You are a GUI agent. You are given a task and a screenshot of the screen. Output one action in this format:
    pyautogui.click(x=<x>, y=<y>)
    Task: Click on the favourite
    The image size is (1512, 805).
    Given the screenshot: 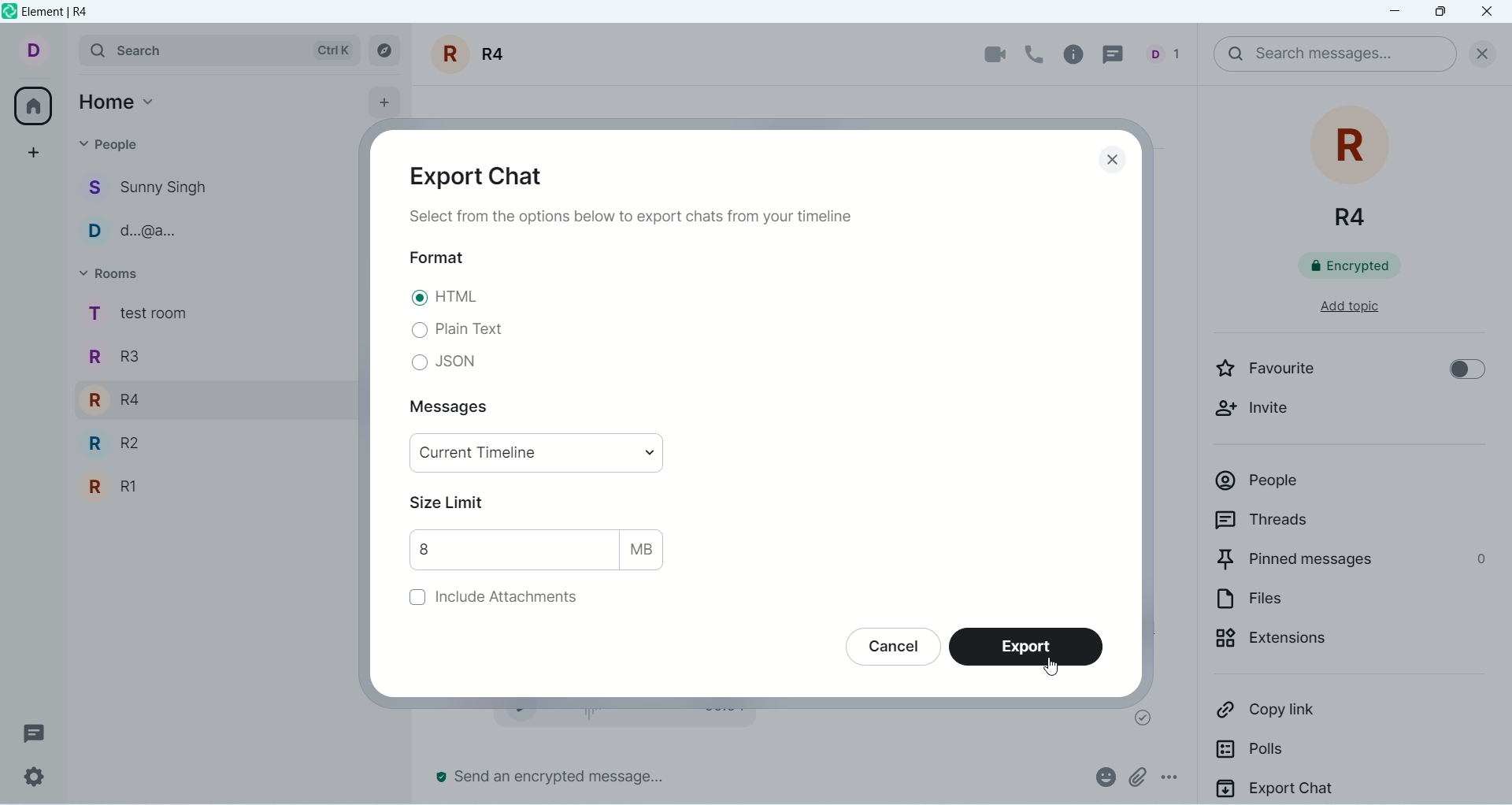 What is the action you would take?
    pyautogui.click(x=1287, y=369)
    